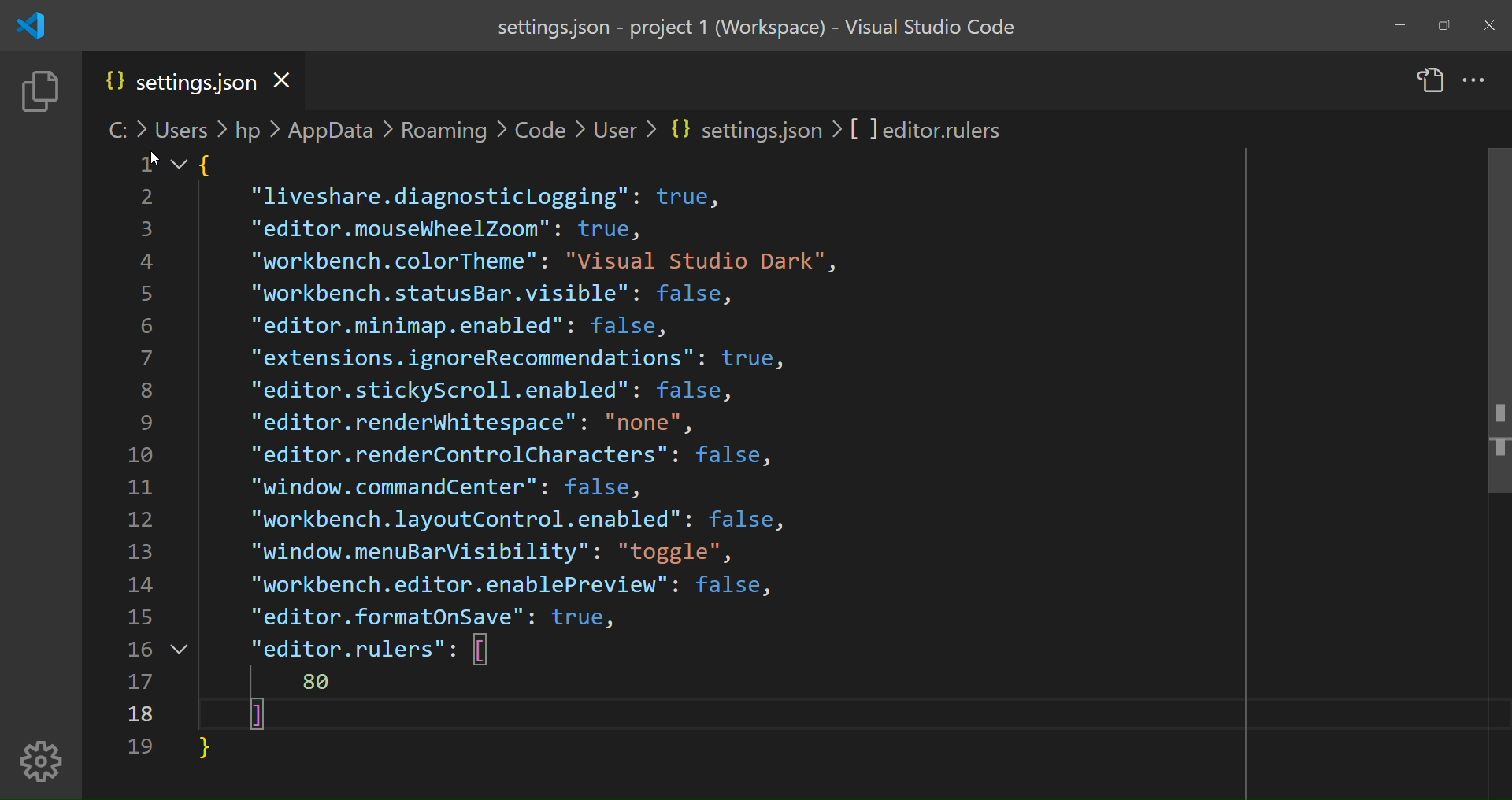 This screenshot has width=1512, height=800. Describe the element at coordinates (290, 79) in the screenshot. I see `close file` at that location.